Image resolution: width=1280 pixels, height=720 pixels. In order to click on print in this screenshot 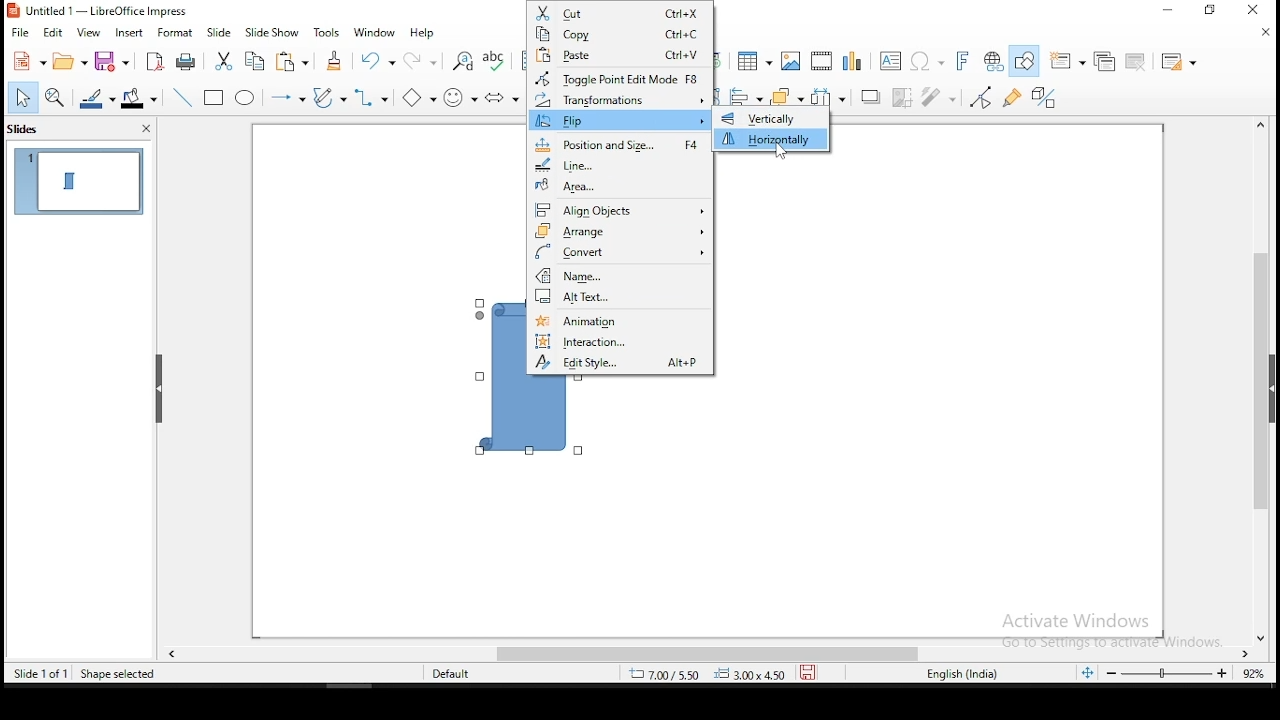, I will do `click(186, 63)`.